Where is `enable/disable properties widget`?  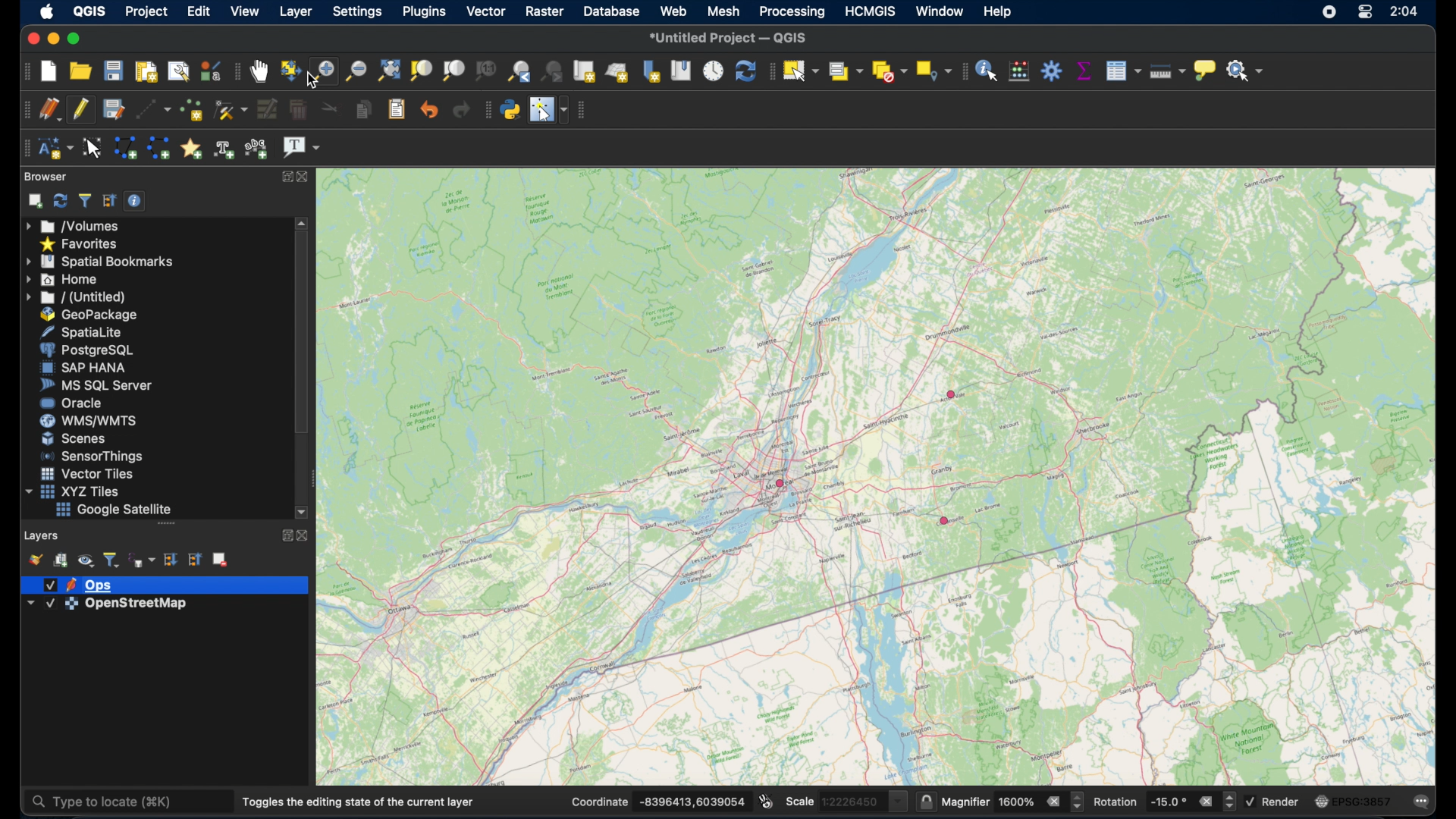
enable/disable properties widget is located at coordinates (135, 200).